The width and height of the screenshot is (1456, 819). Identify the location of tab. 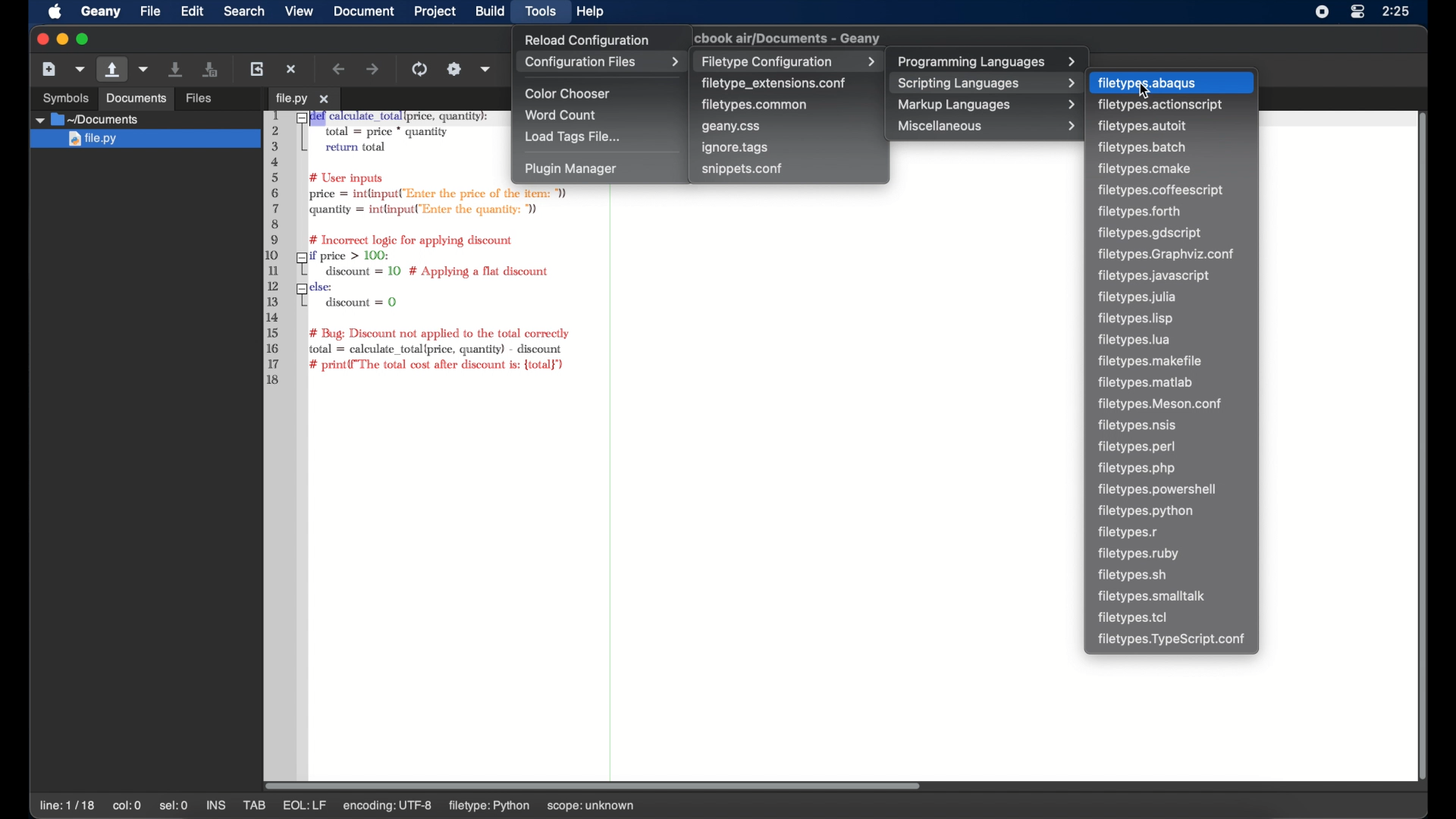
(303, 99).